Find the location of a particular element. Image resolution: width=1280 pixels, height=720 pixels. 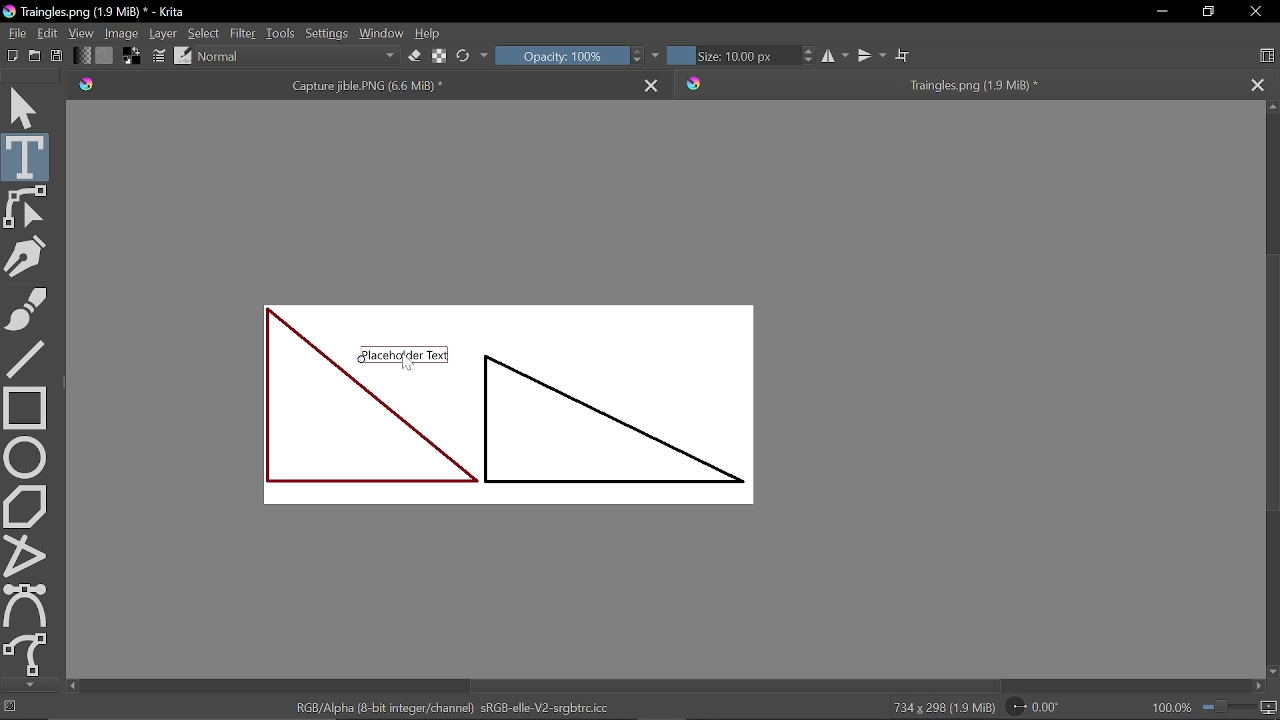

Fill gradient is located at coordinates (81, 56).